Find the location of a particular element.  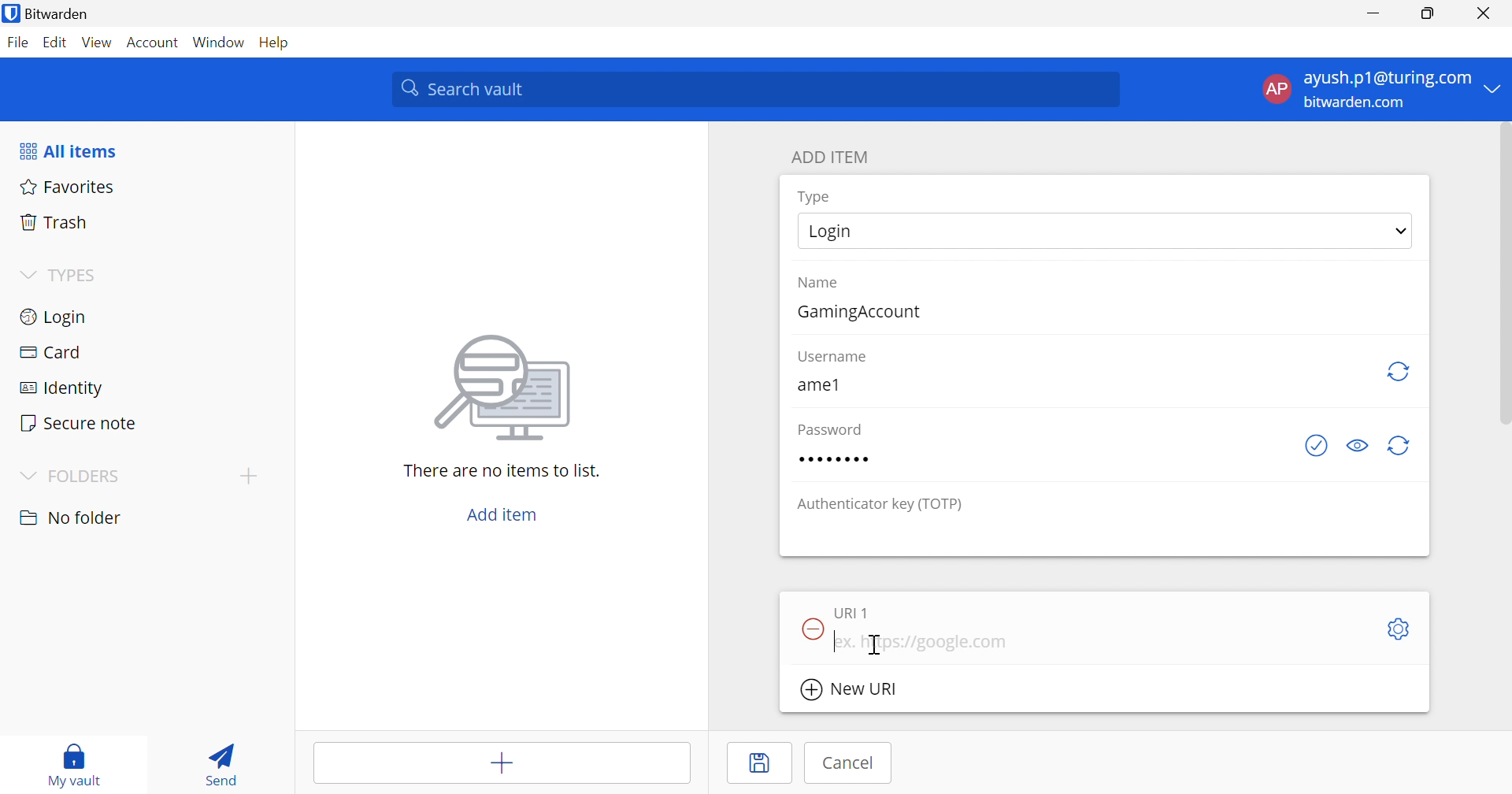

My vault is located at coordinates (72, 762).